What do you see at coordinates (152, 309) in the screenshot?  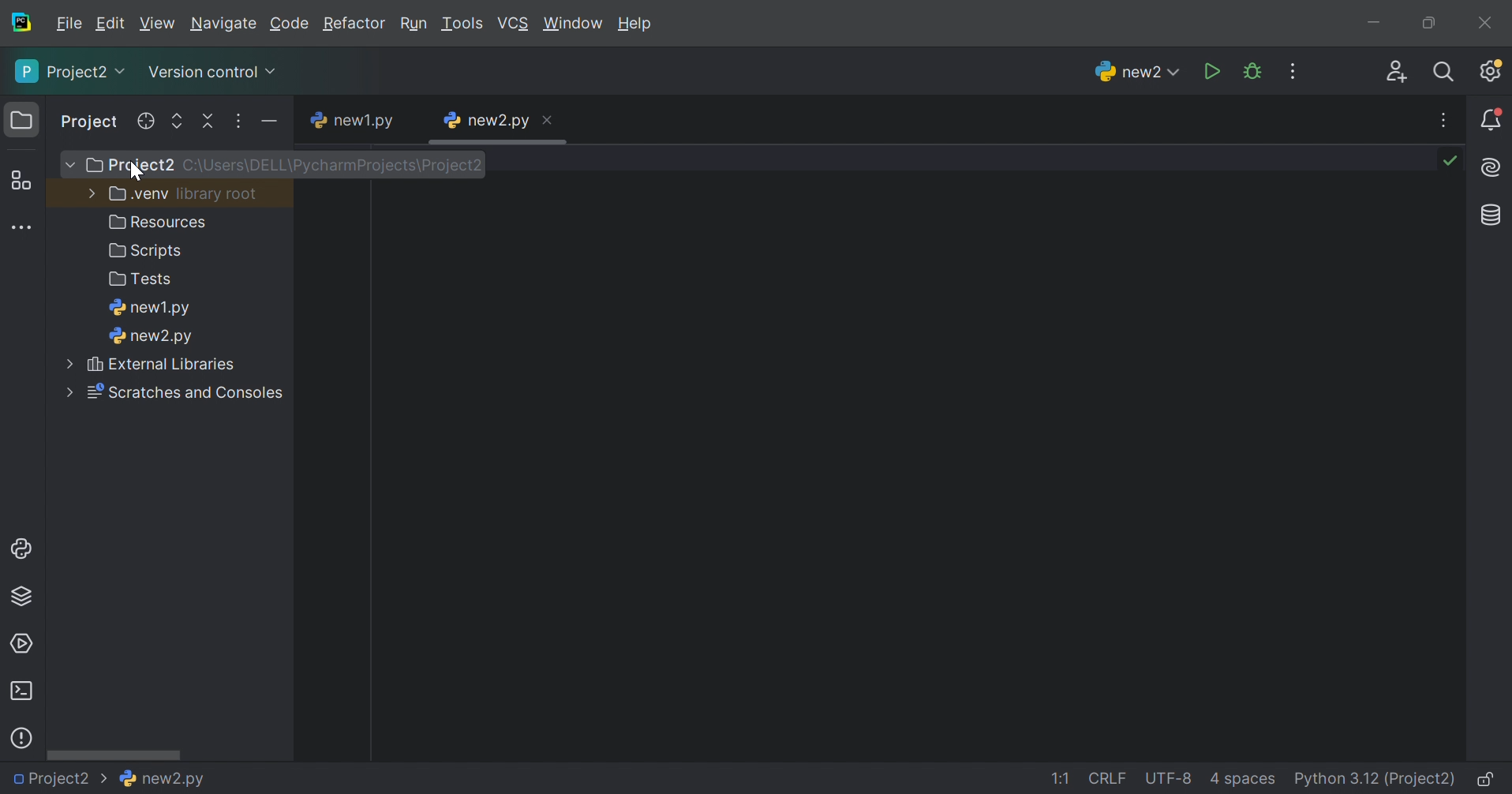 I see `new1.py` at bounding box center [152, 309].